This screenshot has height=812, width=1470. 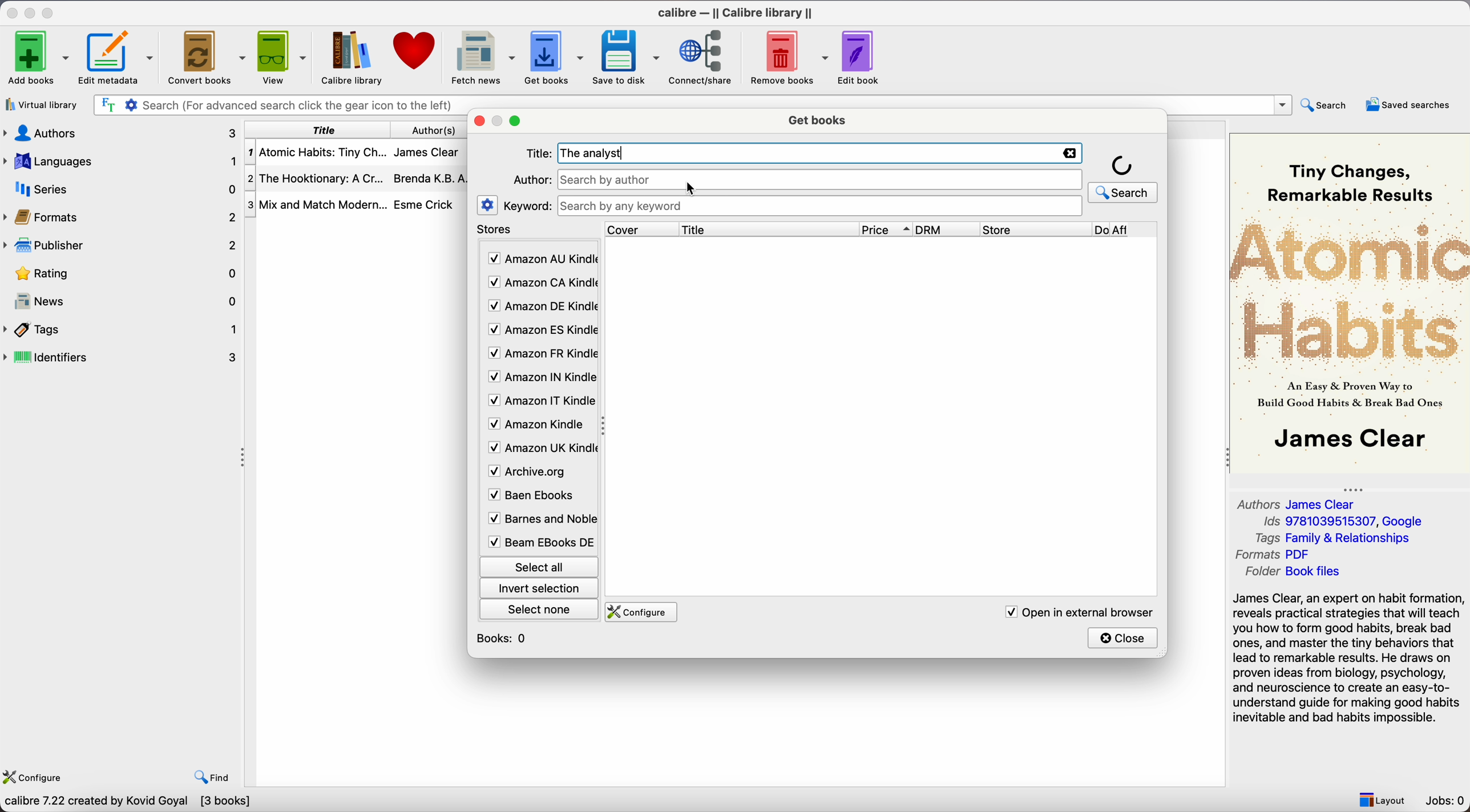 I want to click on Beam Ebooks DE, so click(x=539, y=542).